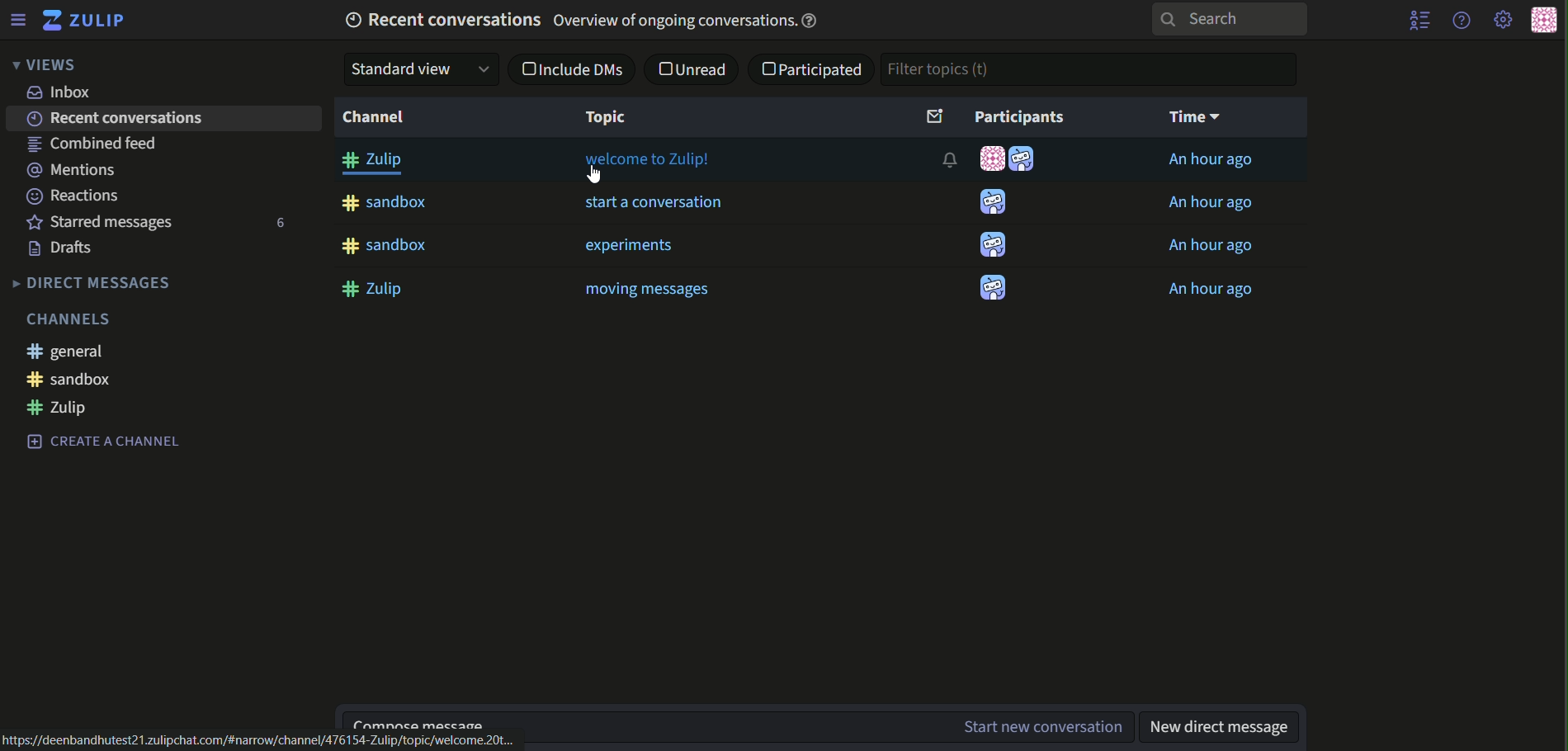 The width and height of the screenshot is (1568, 751). What do you see at coordinates (706, 68) in the screenshot?
I see `unread` at bounding box center [706, 68].